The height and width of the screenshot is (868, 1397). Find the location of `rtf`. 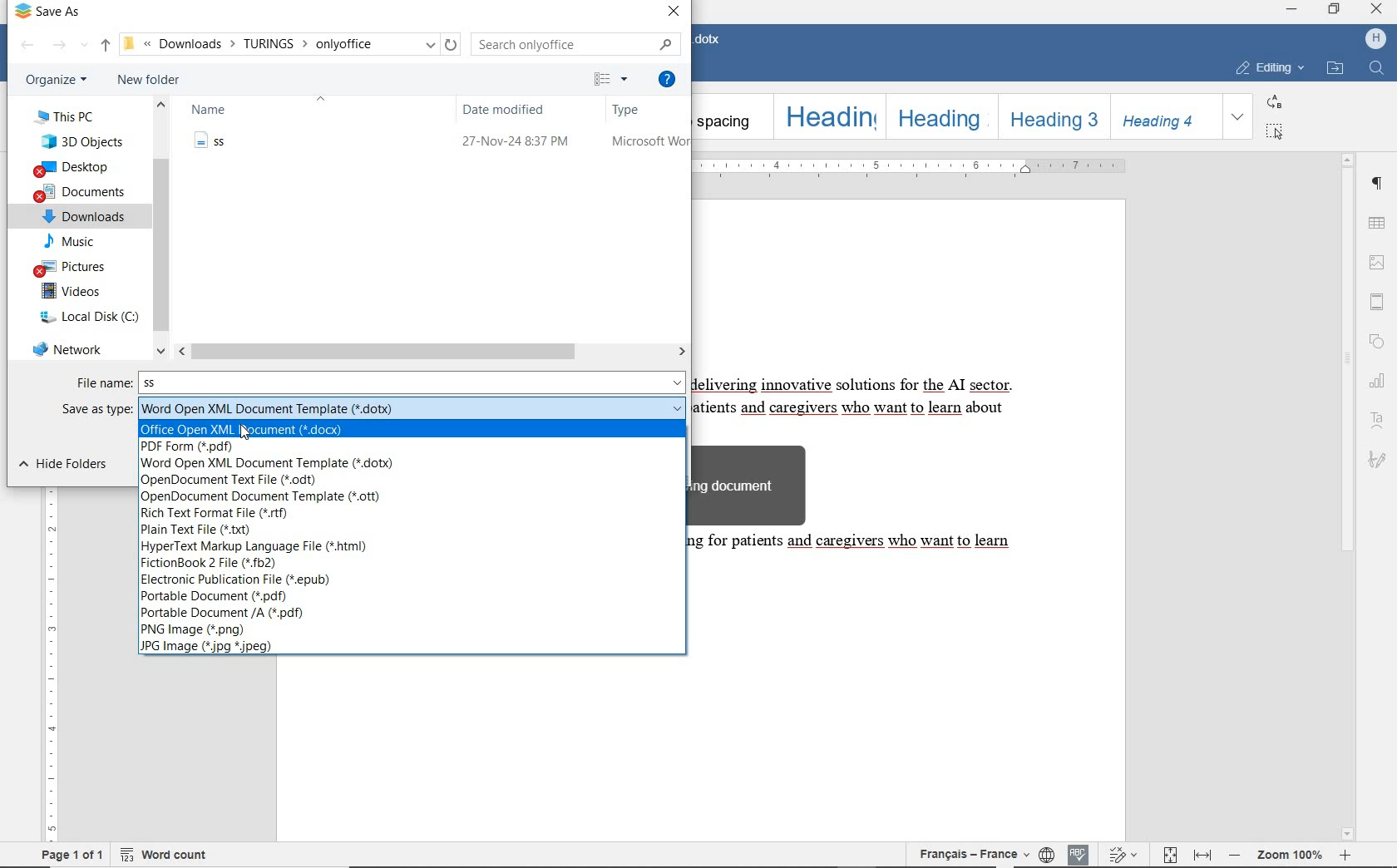

rtf is located at coordinates (218, 513).